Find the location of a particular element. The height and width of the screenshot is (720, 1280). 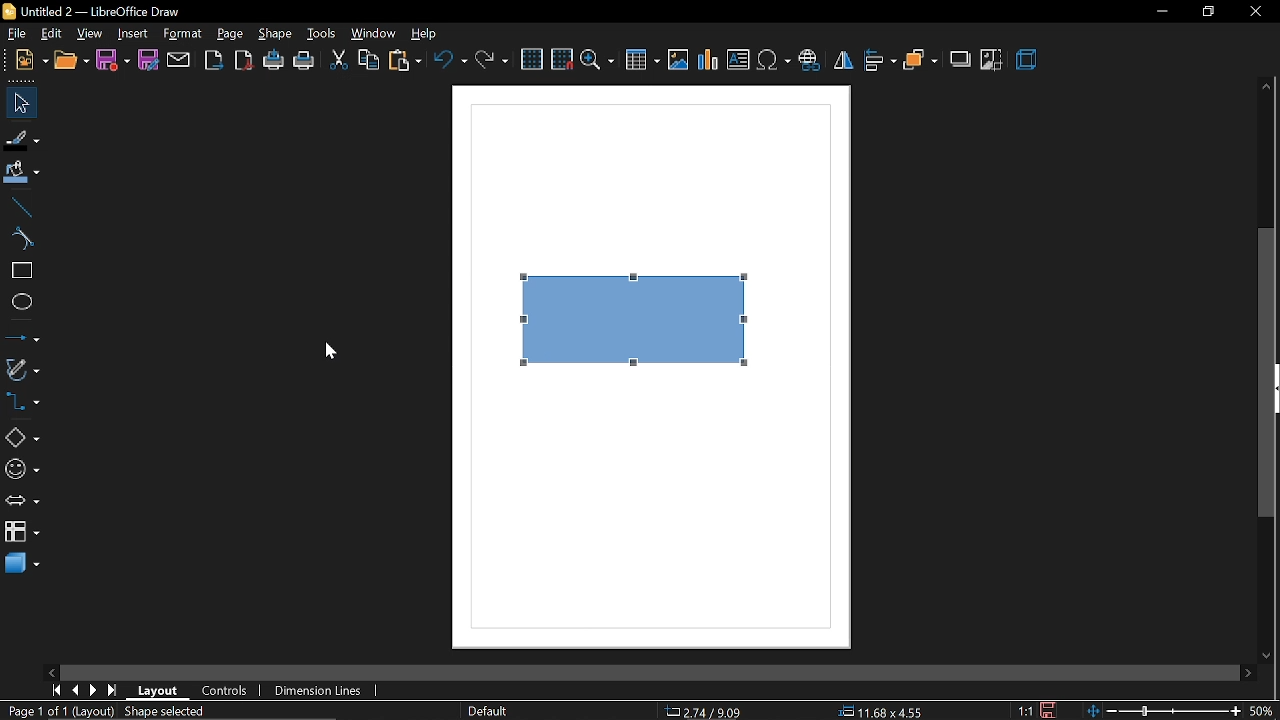

previous page is located at coordinates (77, 691).